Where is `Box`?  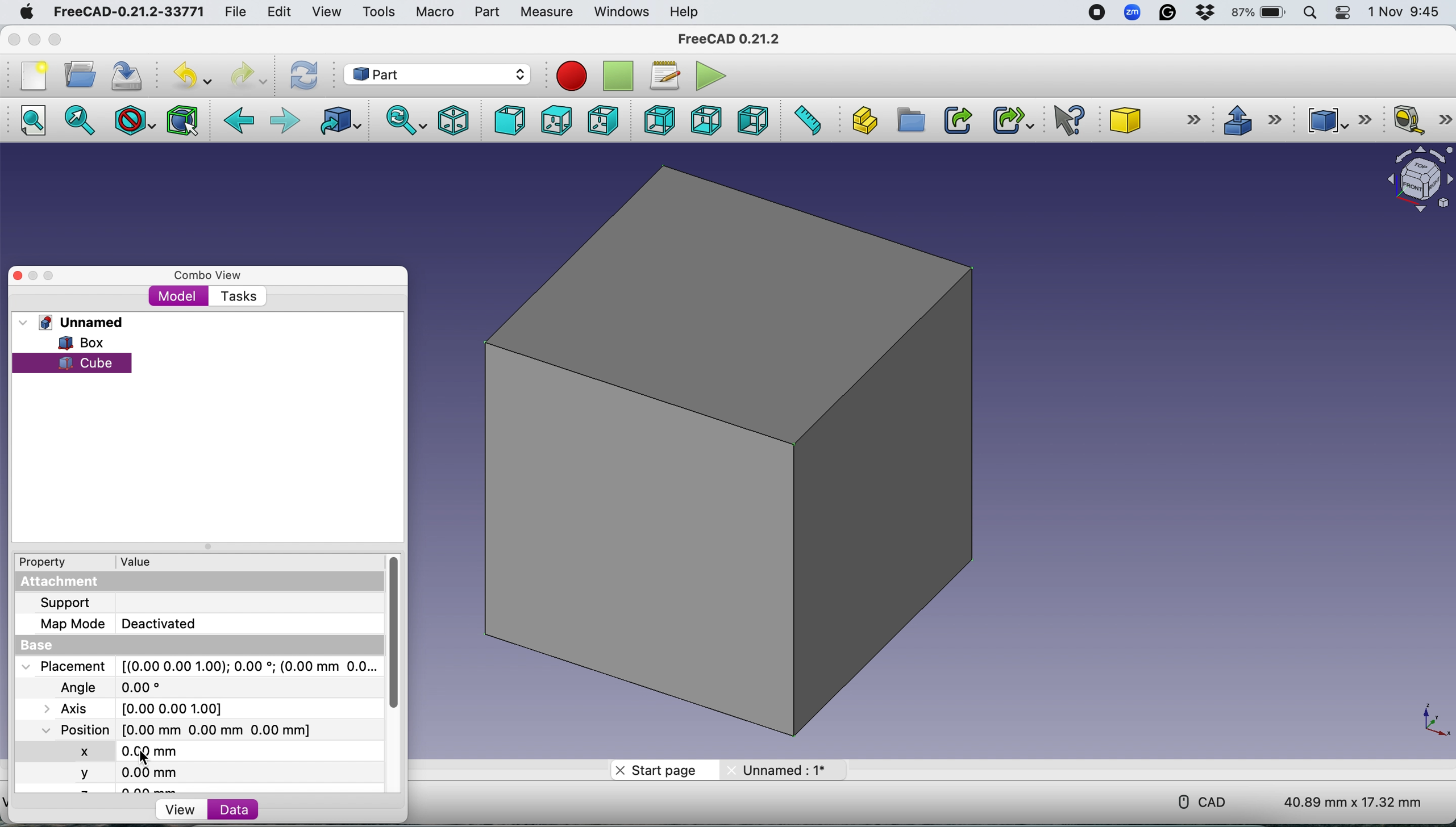 Box is located at coordinates (744, 455).